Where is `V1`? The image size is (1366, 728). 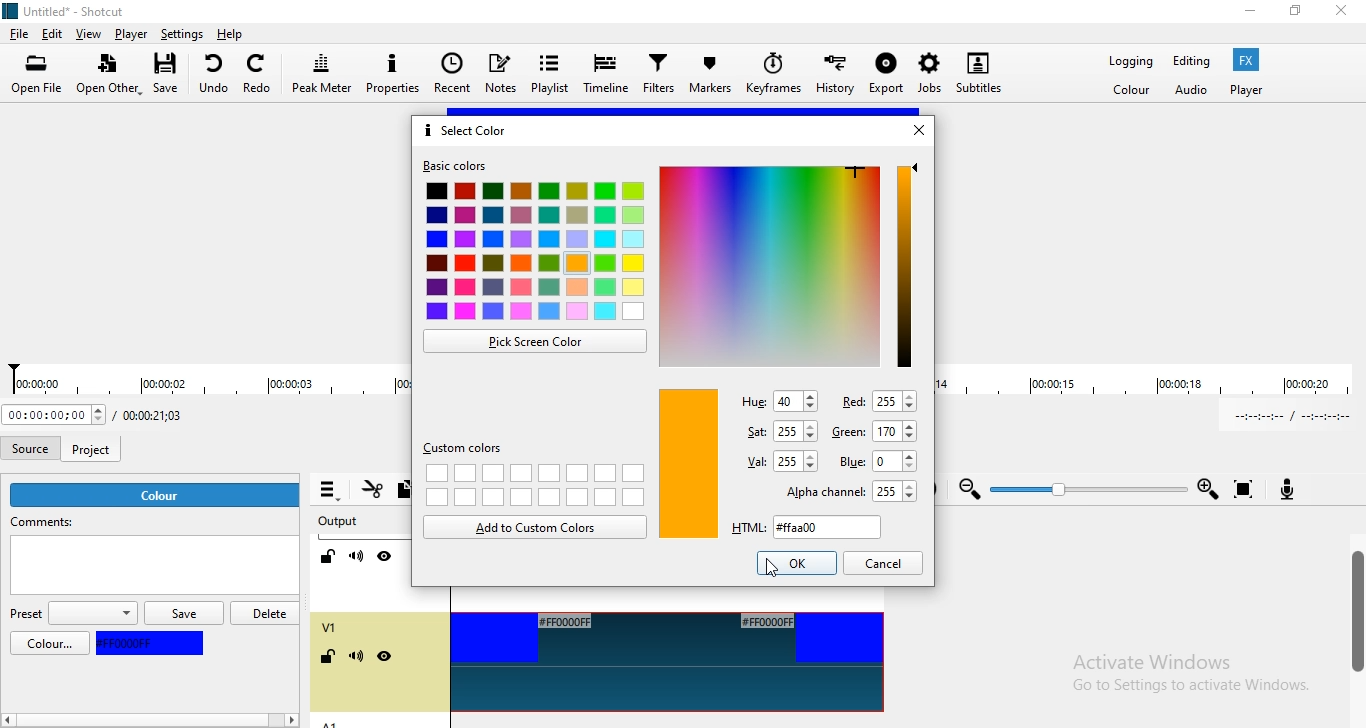 V1 is located at coordinates (329, 627).